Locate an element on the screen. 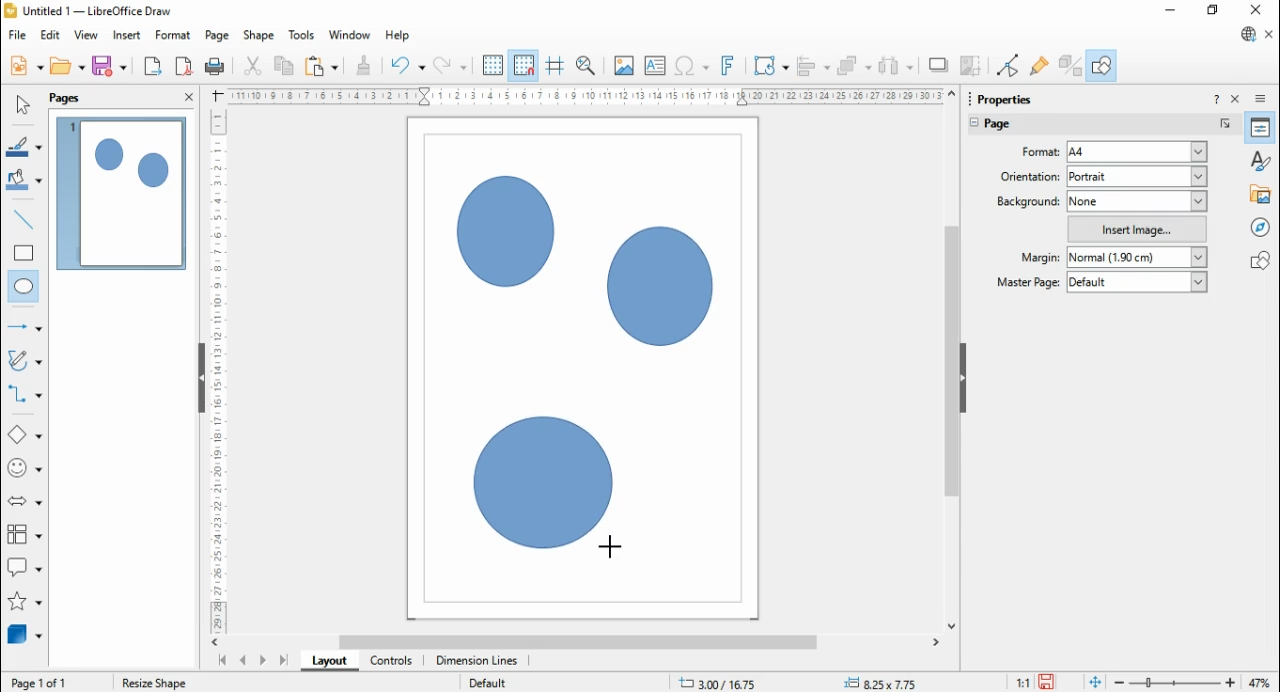  display grid is located at coordinates (492, 66).